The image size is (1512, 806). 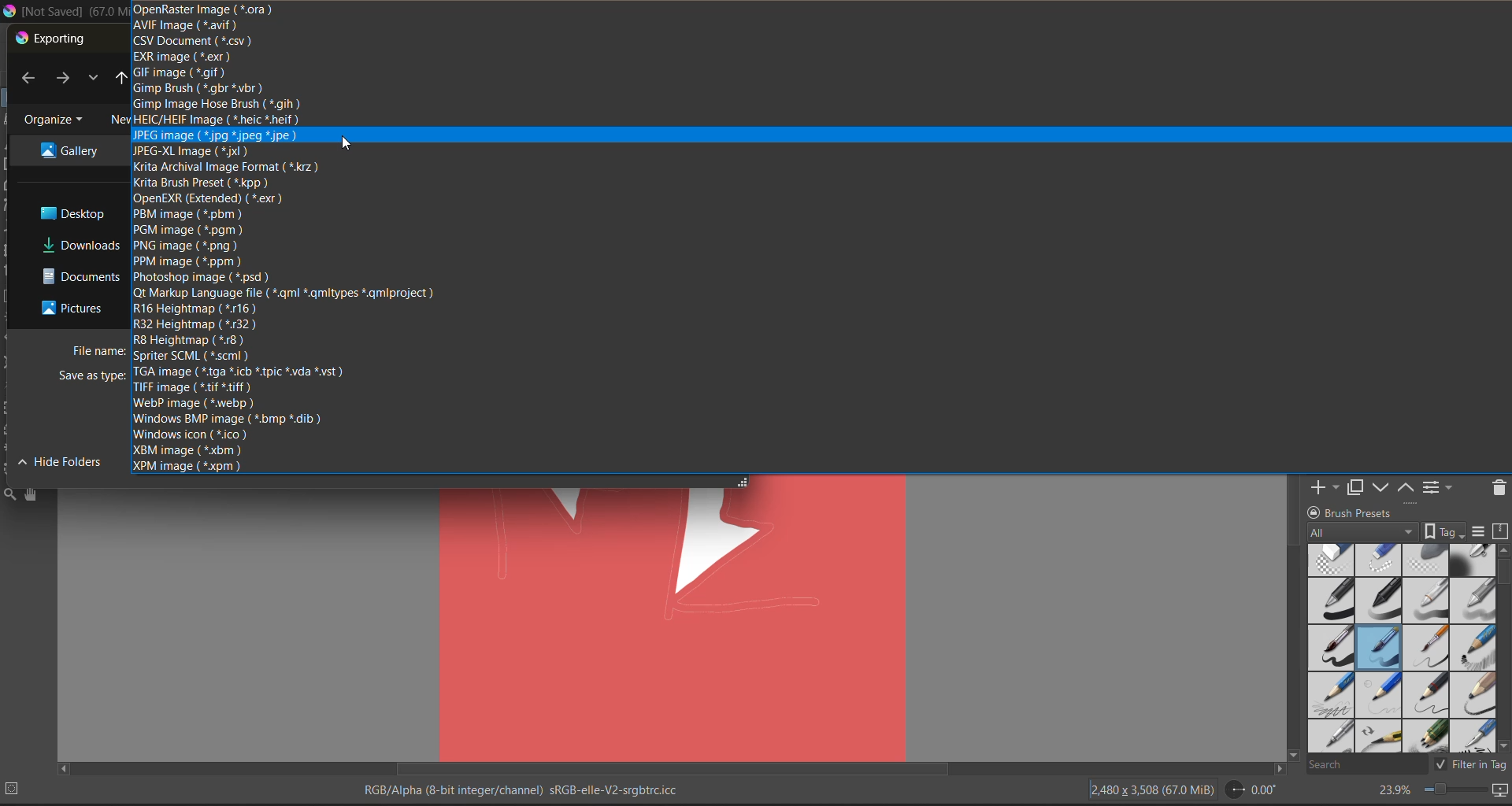 What do you see at coordinates (62, 12) in the screenshot?
I see `app name and file name` at bounding box center [62, 12].